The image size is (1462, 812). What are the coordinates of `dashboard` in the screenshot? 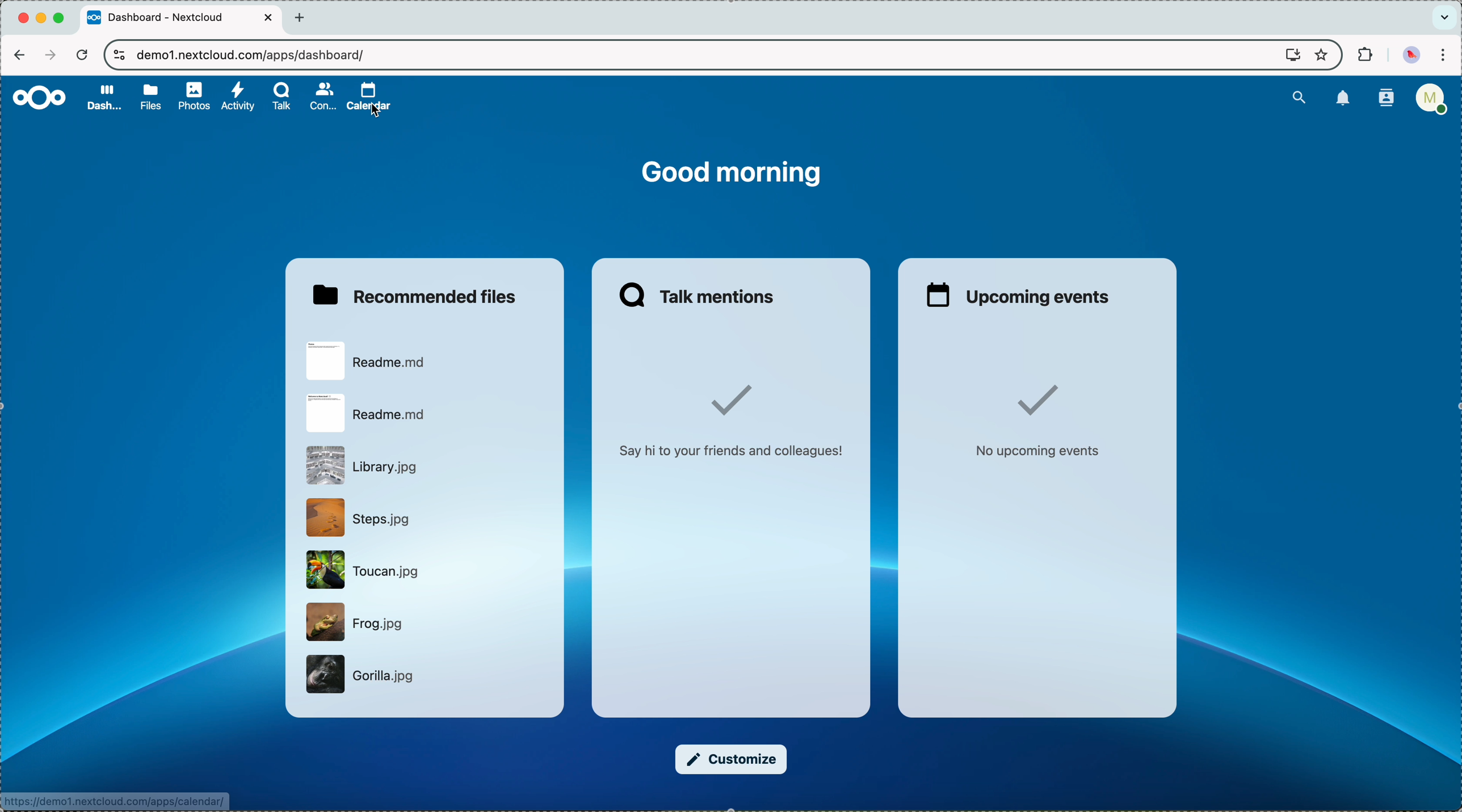 It's located at (102, 99).